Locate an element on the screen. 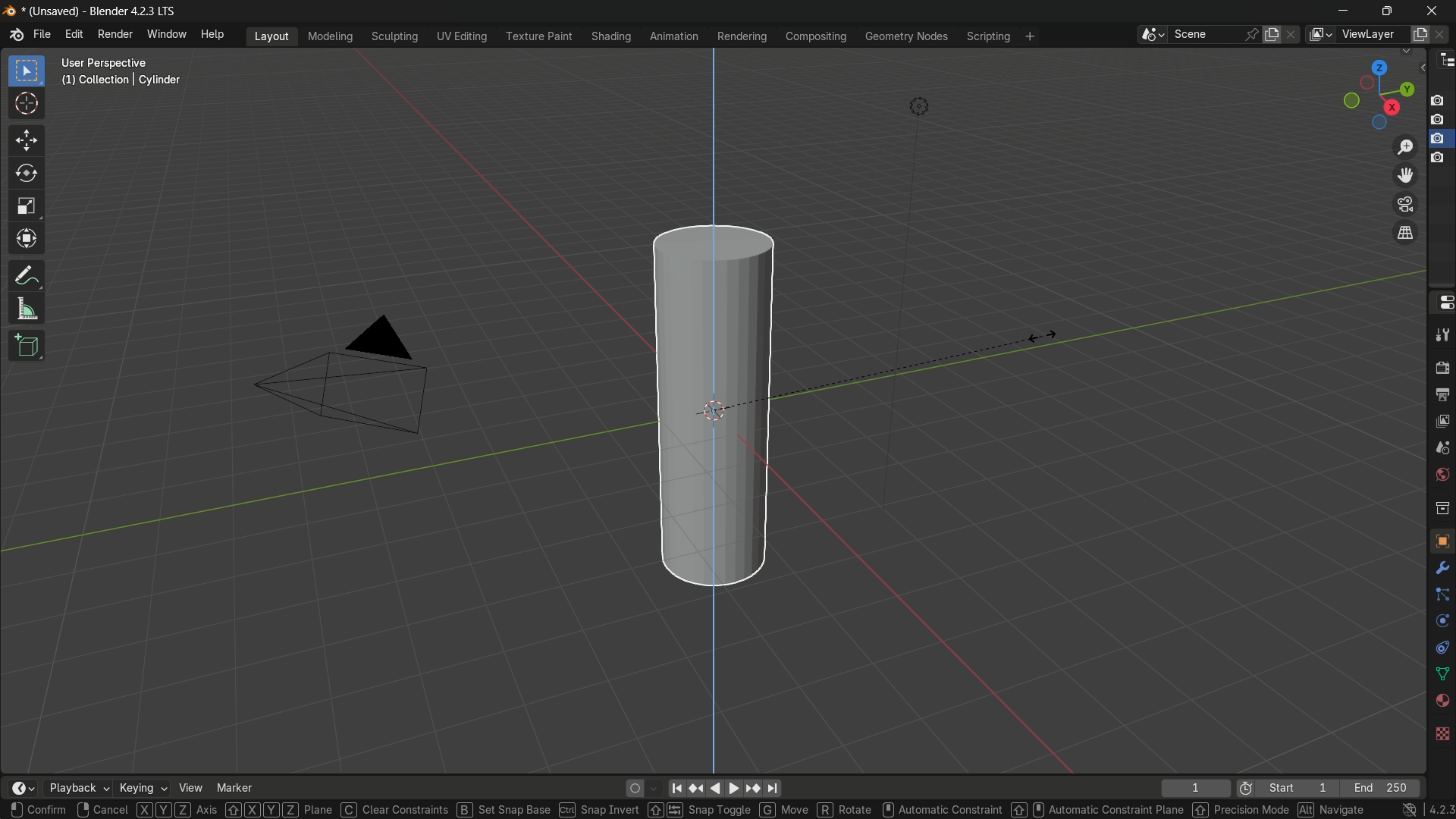  timeline is located at coordinates (20, 788).